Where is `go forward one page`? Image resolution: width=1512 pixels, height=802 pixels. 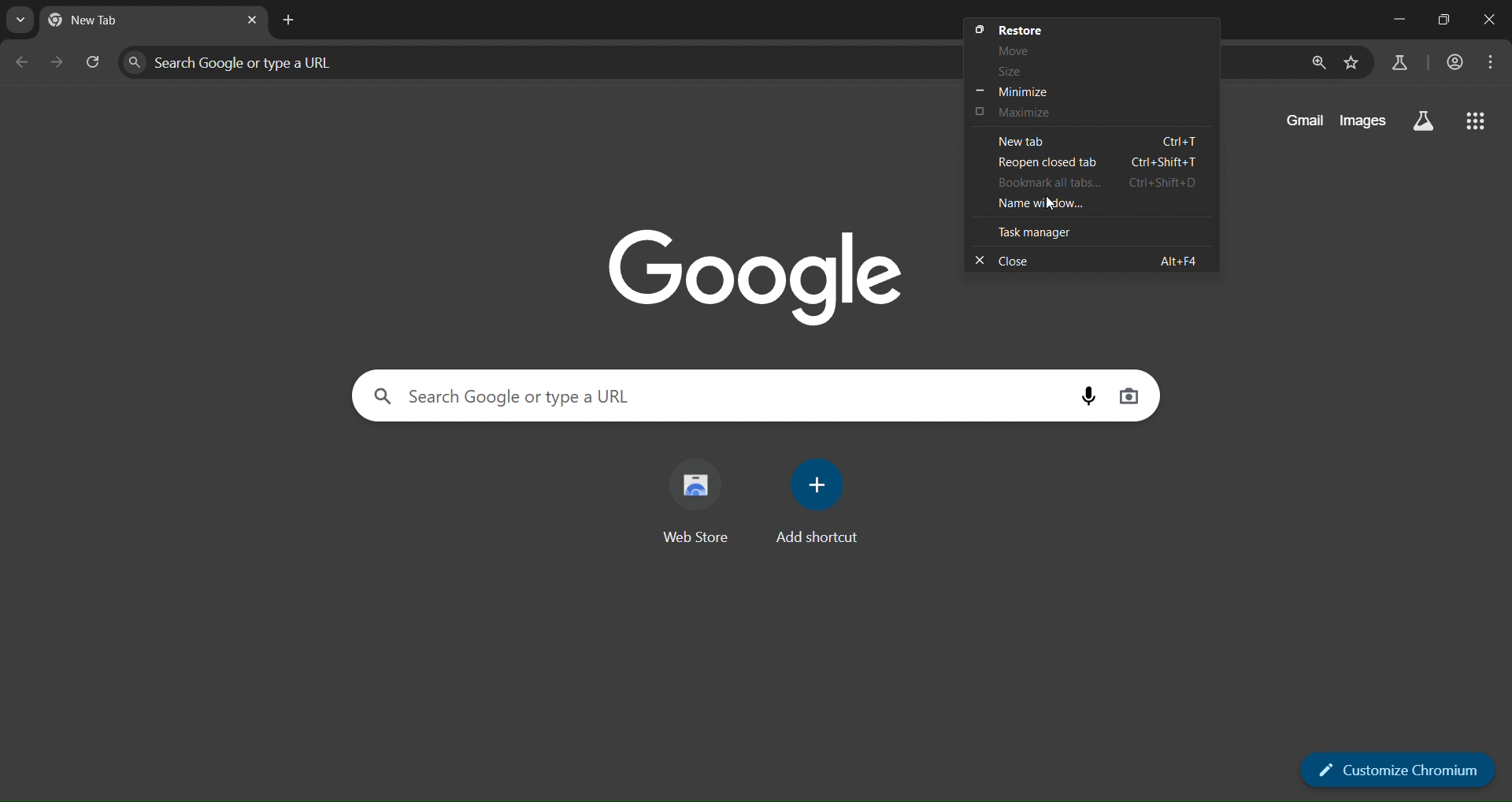
go forward one page is located at coordinates (56, 62).